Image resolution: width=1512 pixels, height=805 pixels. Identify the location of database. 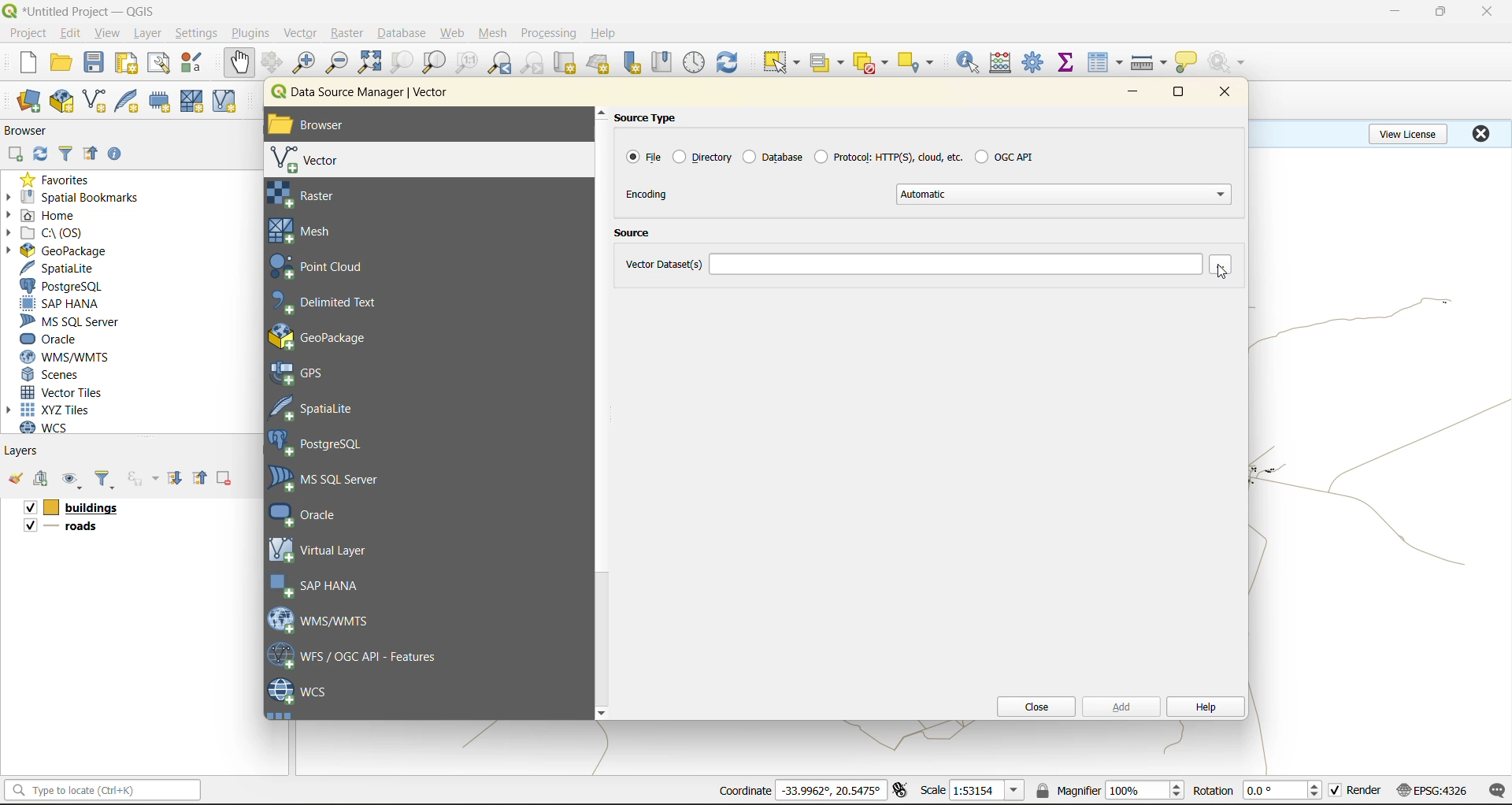
(772, 156).